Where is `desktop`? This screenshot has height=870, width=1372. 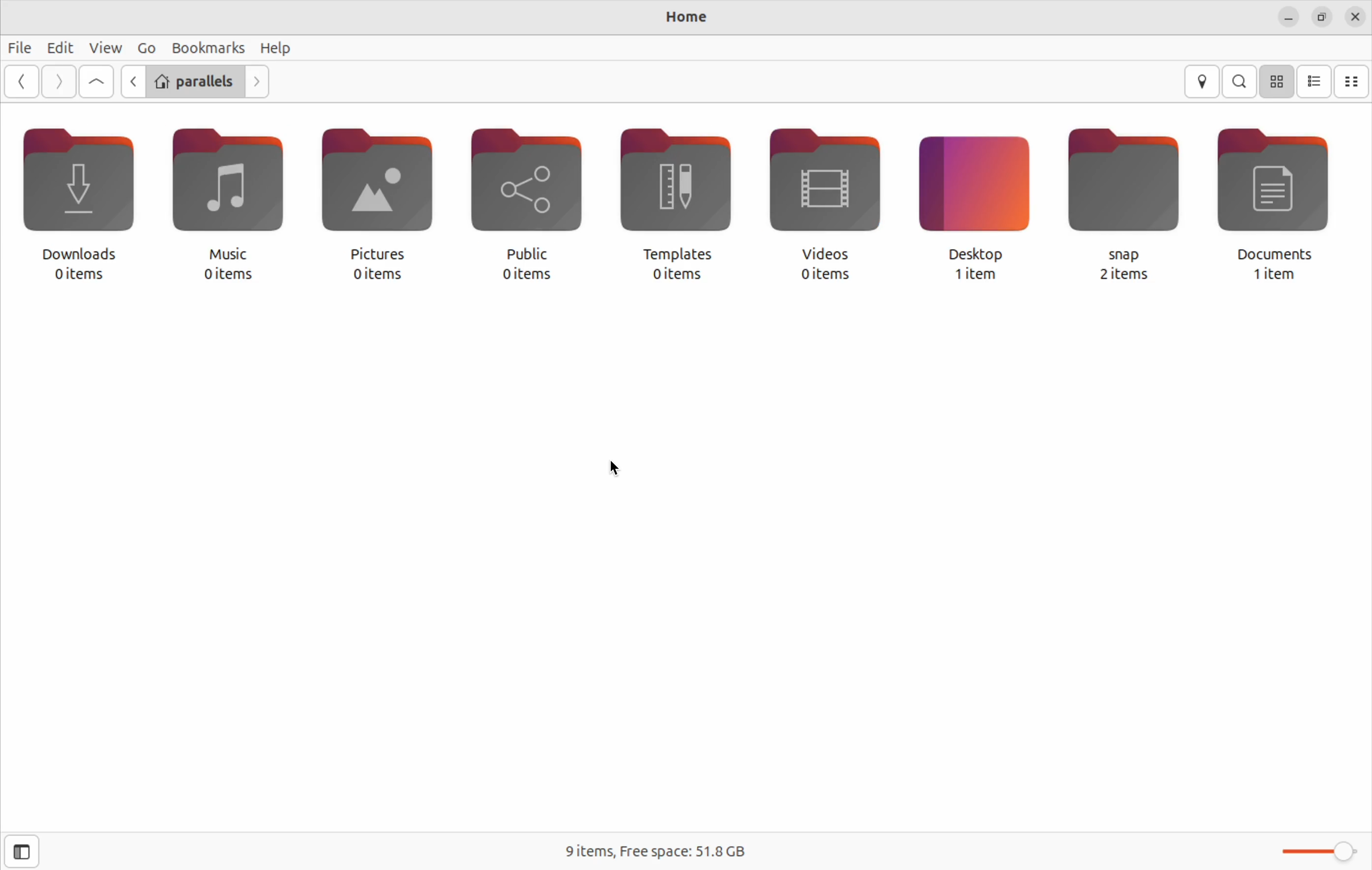
desktop is located at coordinates (978, 205).